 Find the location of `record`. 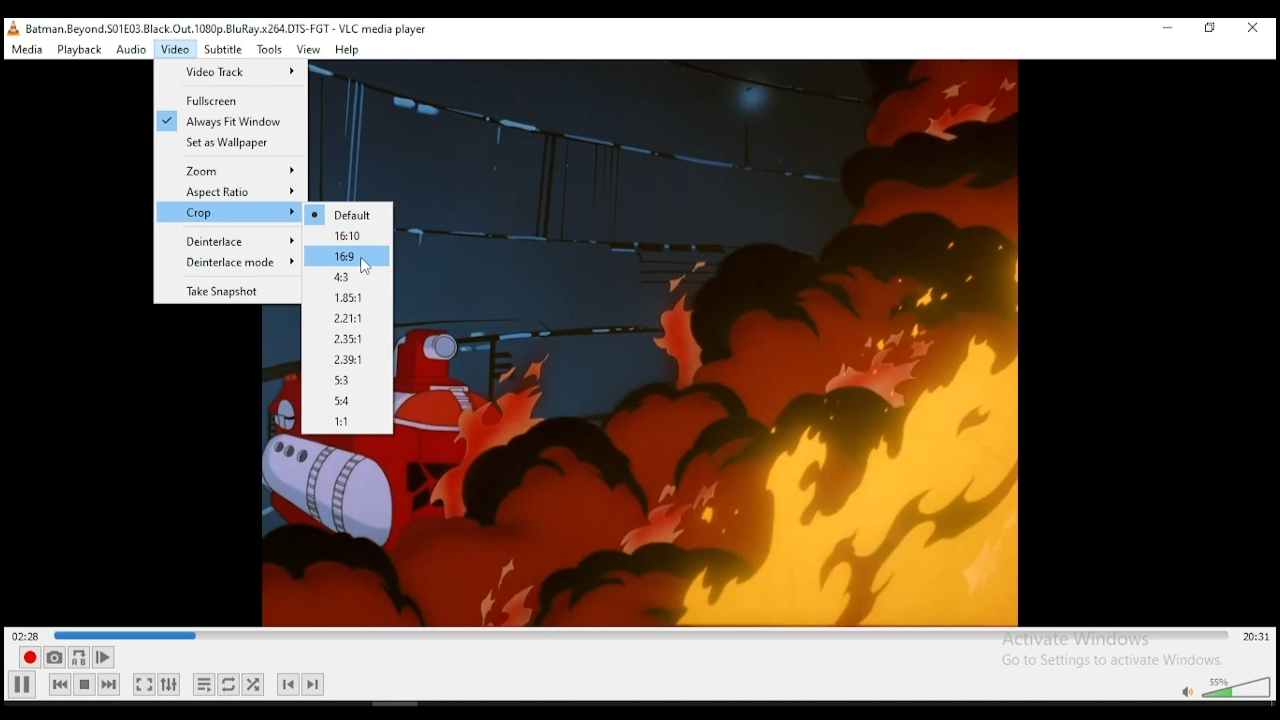

record is located at coordinates (28, 656).